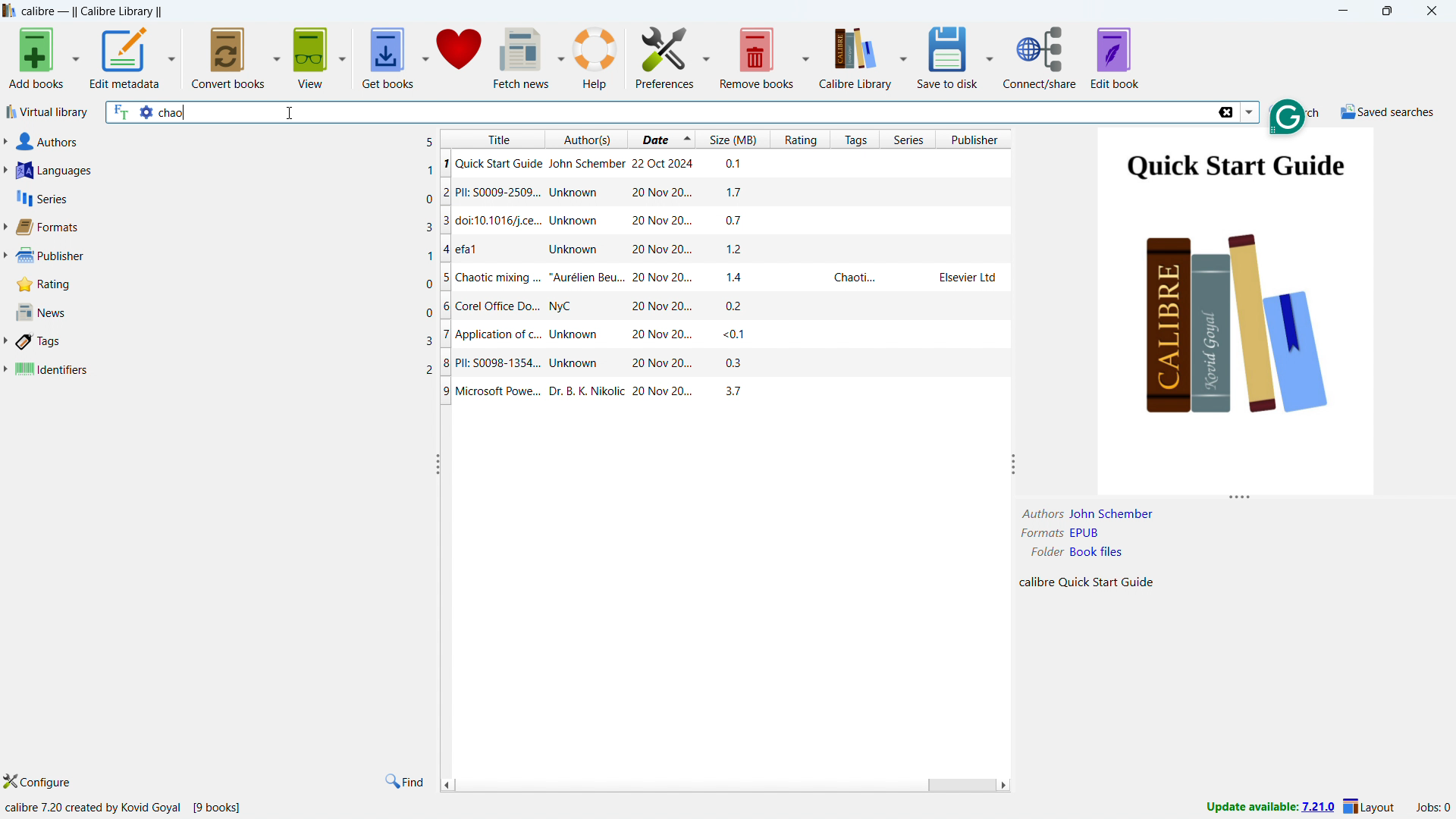  I want to click on add books options, so click(76, 55).